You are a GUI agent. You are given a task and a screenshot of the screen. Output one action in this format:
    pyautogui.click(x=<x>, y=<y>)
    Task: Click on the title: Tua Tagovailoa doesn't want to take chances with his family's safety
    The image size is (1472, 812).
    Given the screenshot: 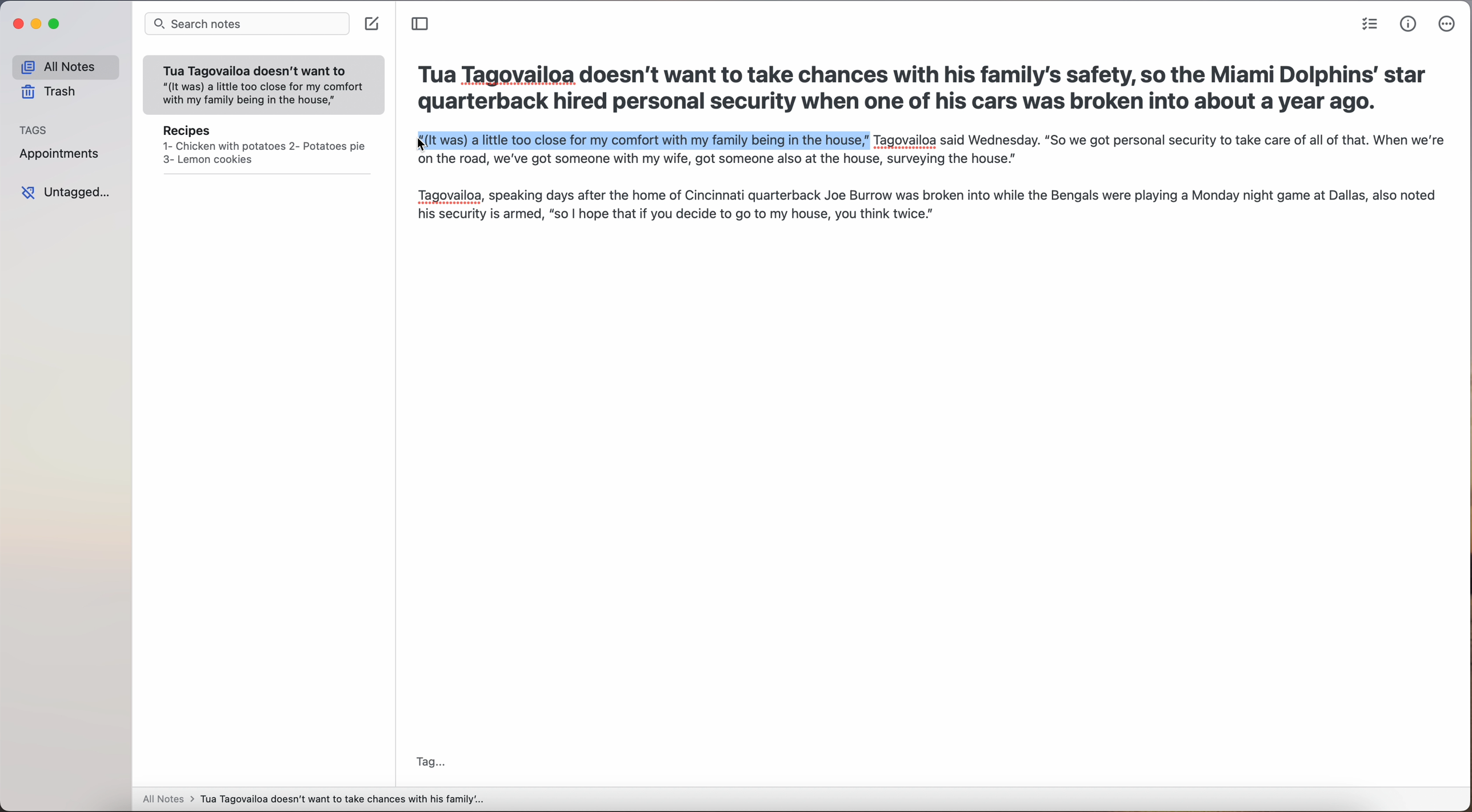 What is the action you would take?
    pyautogui.click(x=923, y=91)
    